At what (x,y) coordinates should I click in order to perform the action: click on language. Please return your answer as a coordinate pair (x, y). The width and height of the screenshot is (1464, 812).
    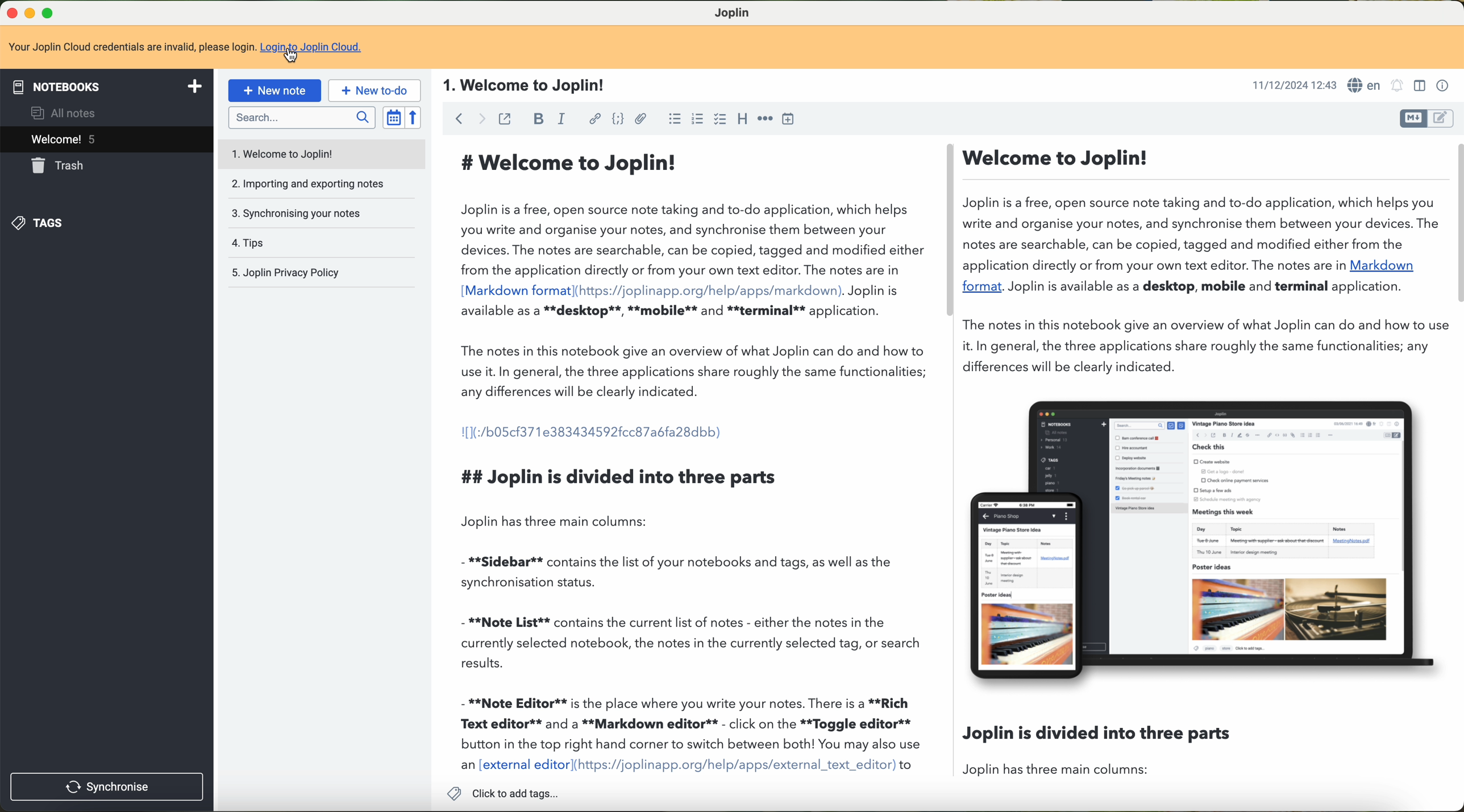
    Looking at the image, I should click on (1366, 85).